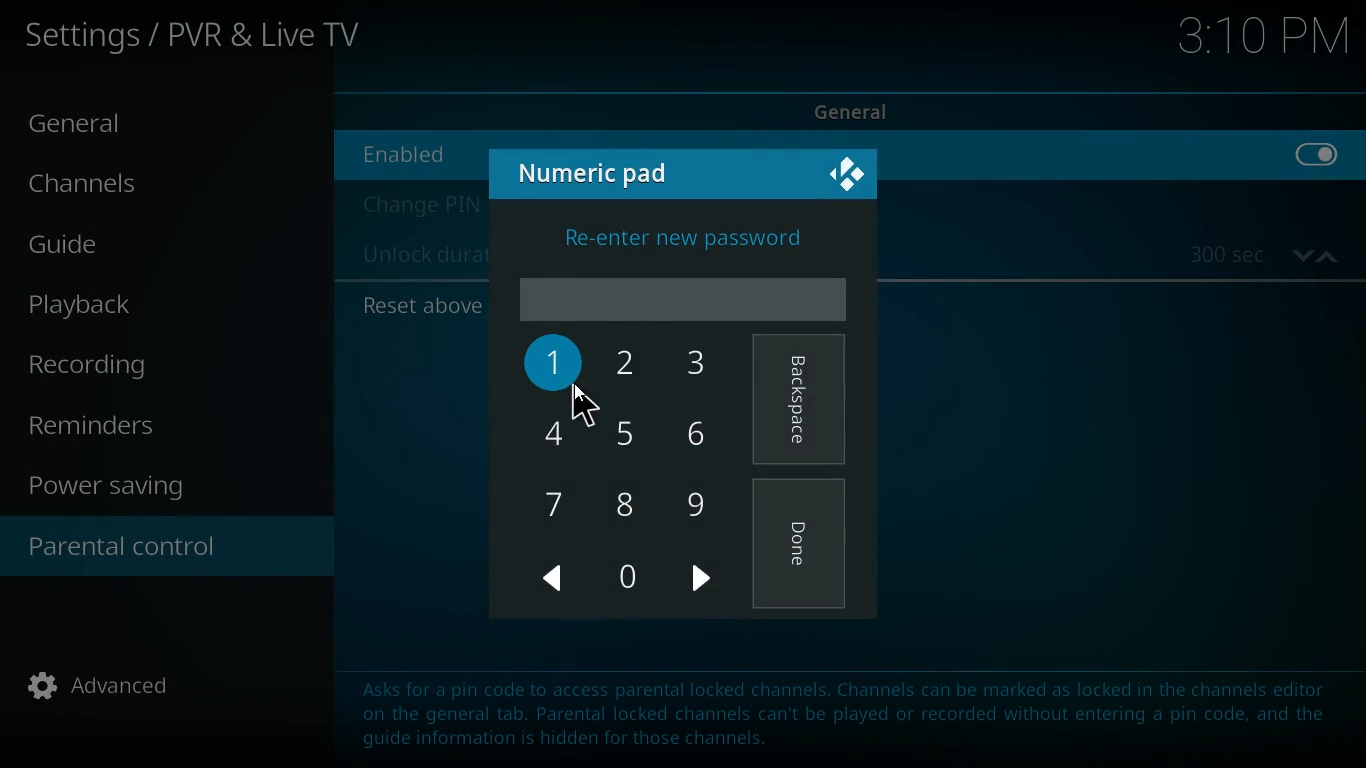  I want to click on 1, so click(553, 362).